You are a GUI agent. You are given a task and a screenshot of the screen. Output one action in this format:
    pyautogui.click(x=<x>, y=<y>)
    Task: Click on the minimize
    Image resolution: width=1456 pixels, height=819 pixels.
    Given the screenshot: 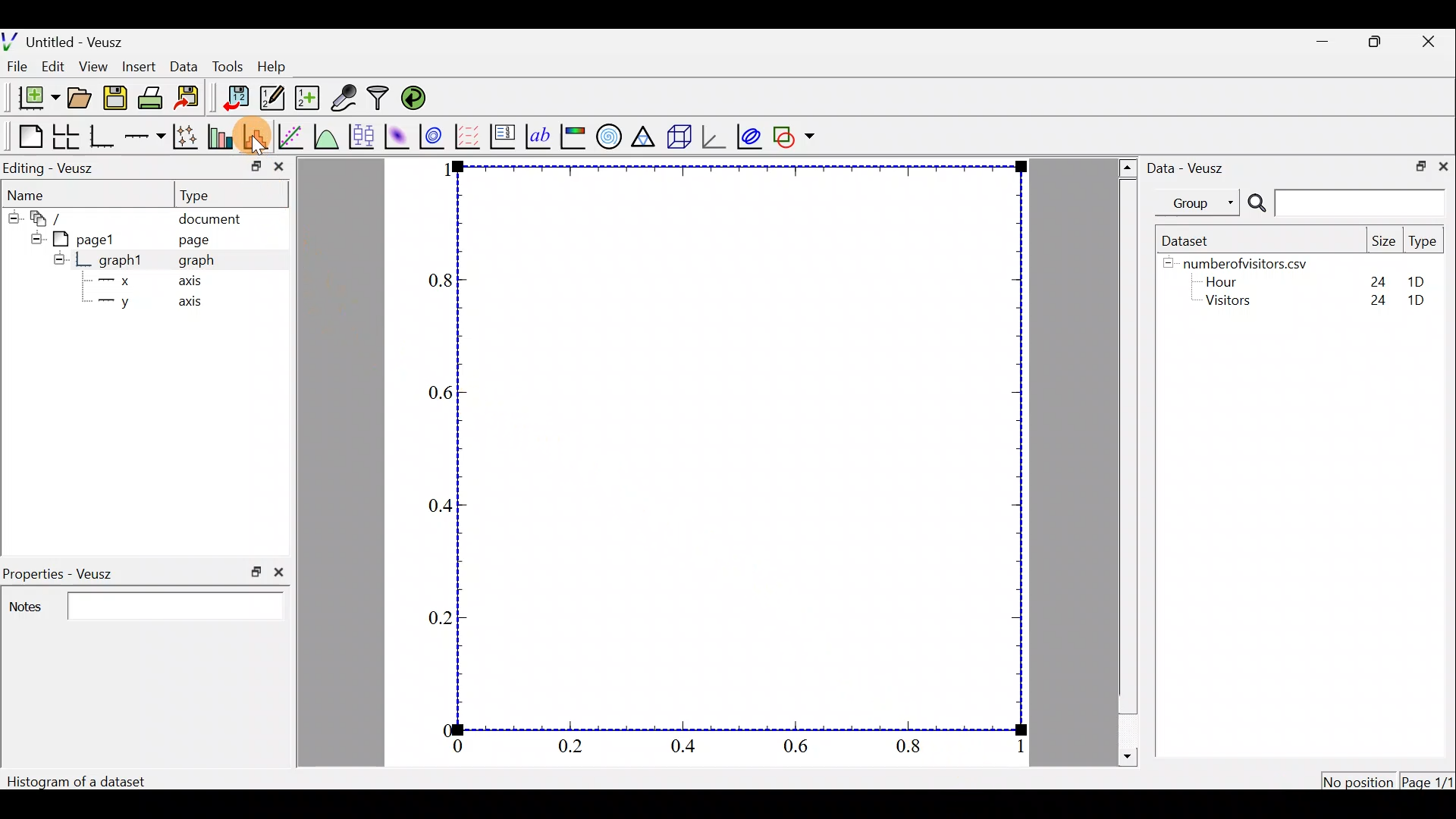 What is the action you would take?
    pyautogui.click(x=1323, y=43)
    